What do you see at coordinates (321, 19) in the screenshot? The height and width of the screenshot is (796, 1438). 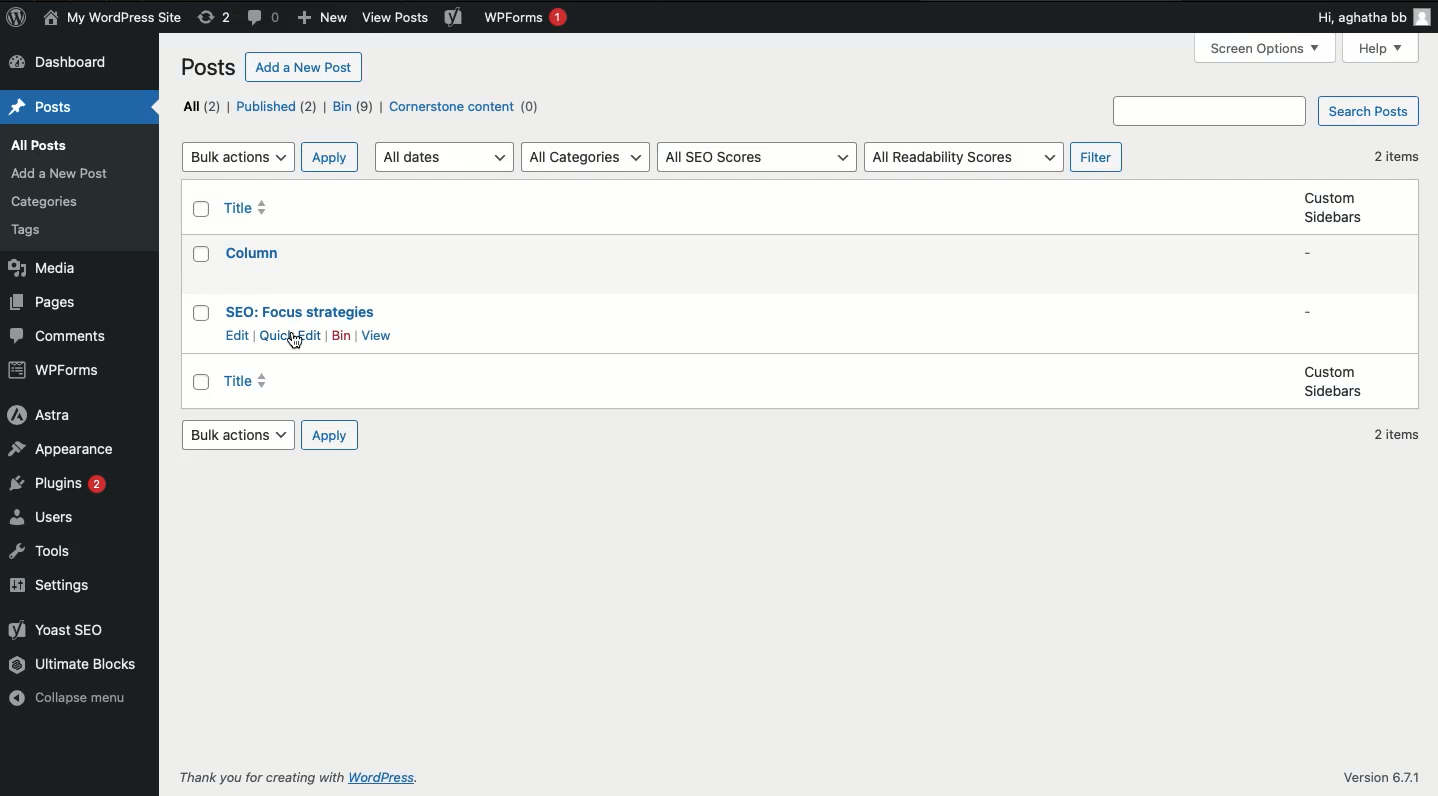 I see `New` at bounding box center [321, 19].